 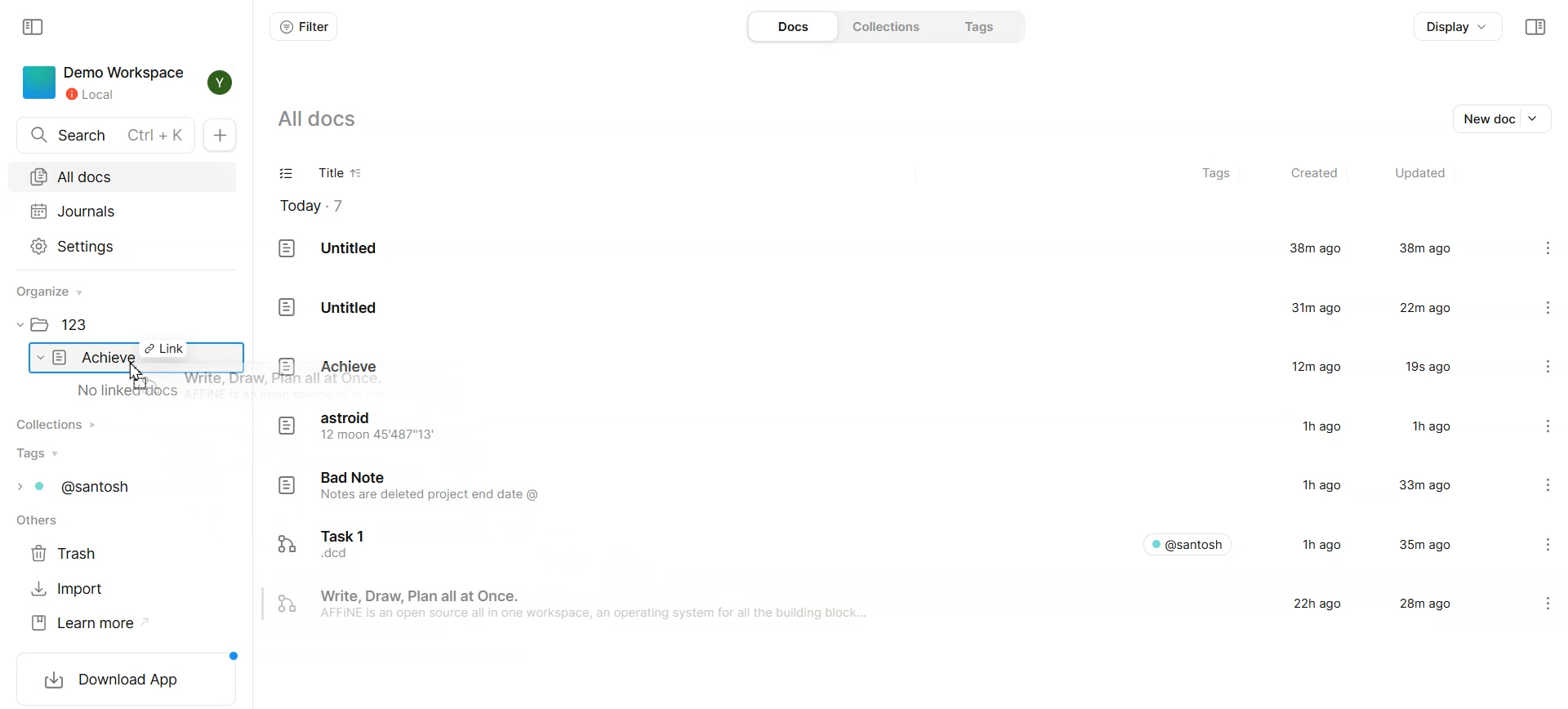 What do you see at coordinates (878, 249) in the screenshot?
I see `Doc File` at bounding box center [878, 249].